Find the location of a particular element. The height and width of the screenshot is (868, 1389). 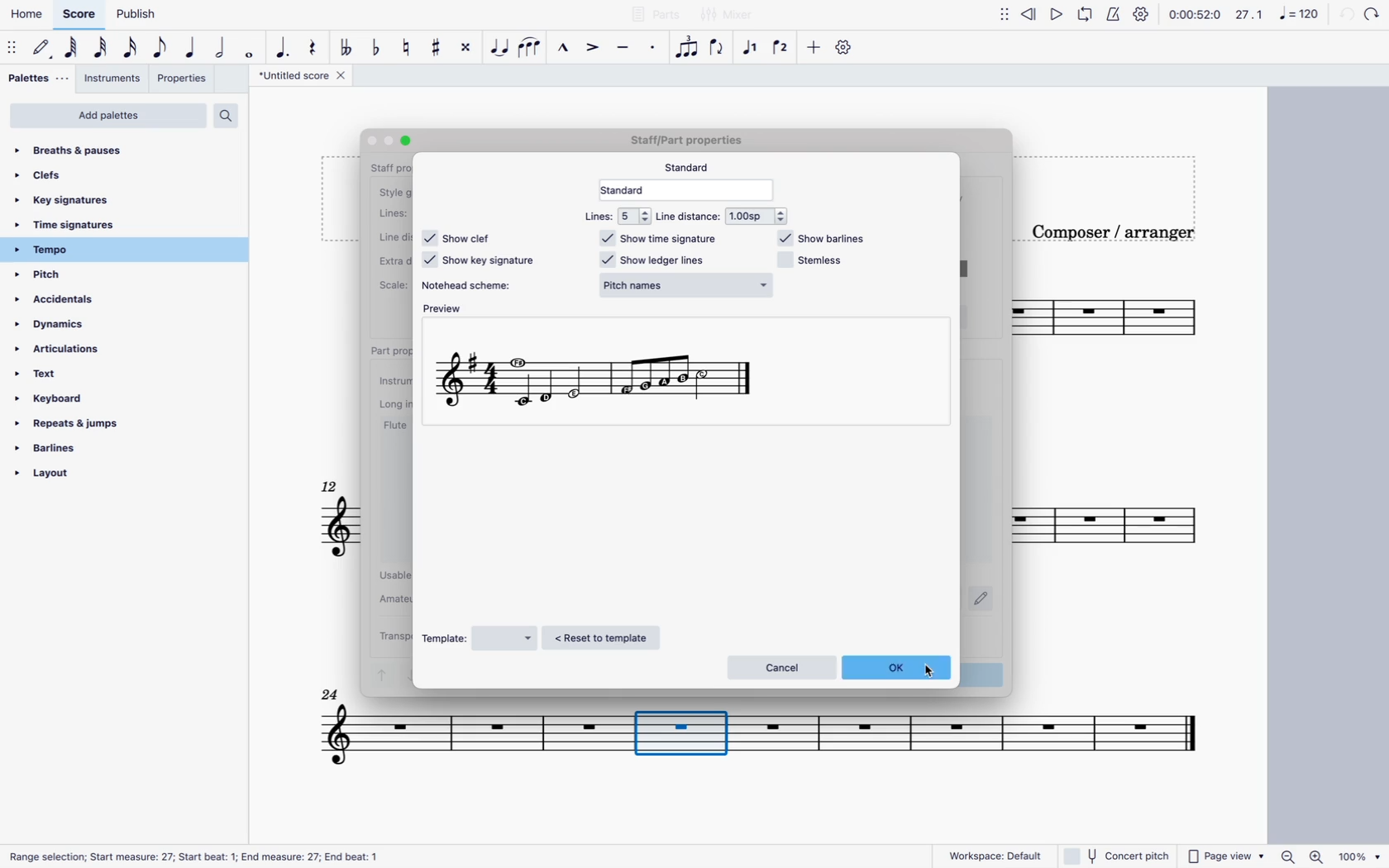

play is located at coordinates (1055, 14).